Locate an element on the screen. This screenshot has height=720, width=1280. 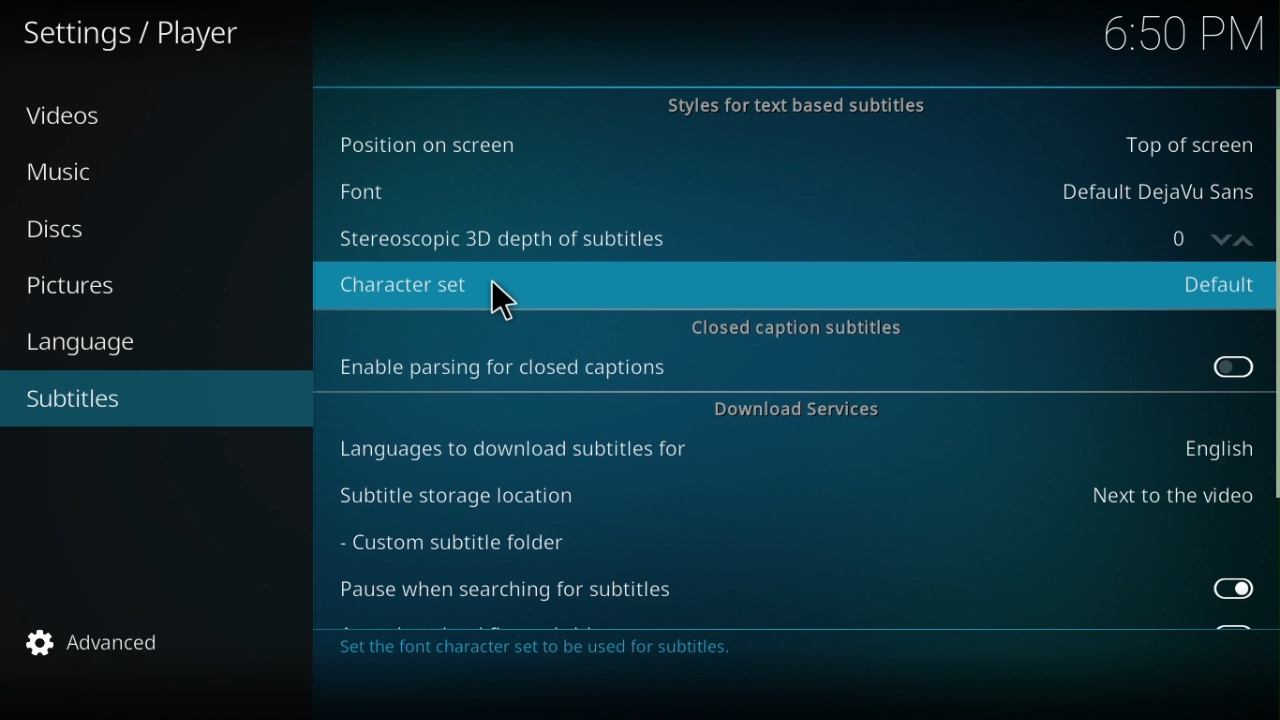
Video is located at coordinates (67, 122).